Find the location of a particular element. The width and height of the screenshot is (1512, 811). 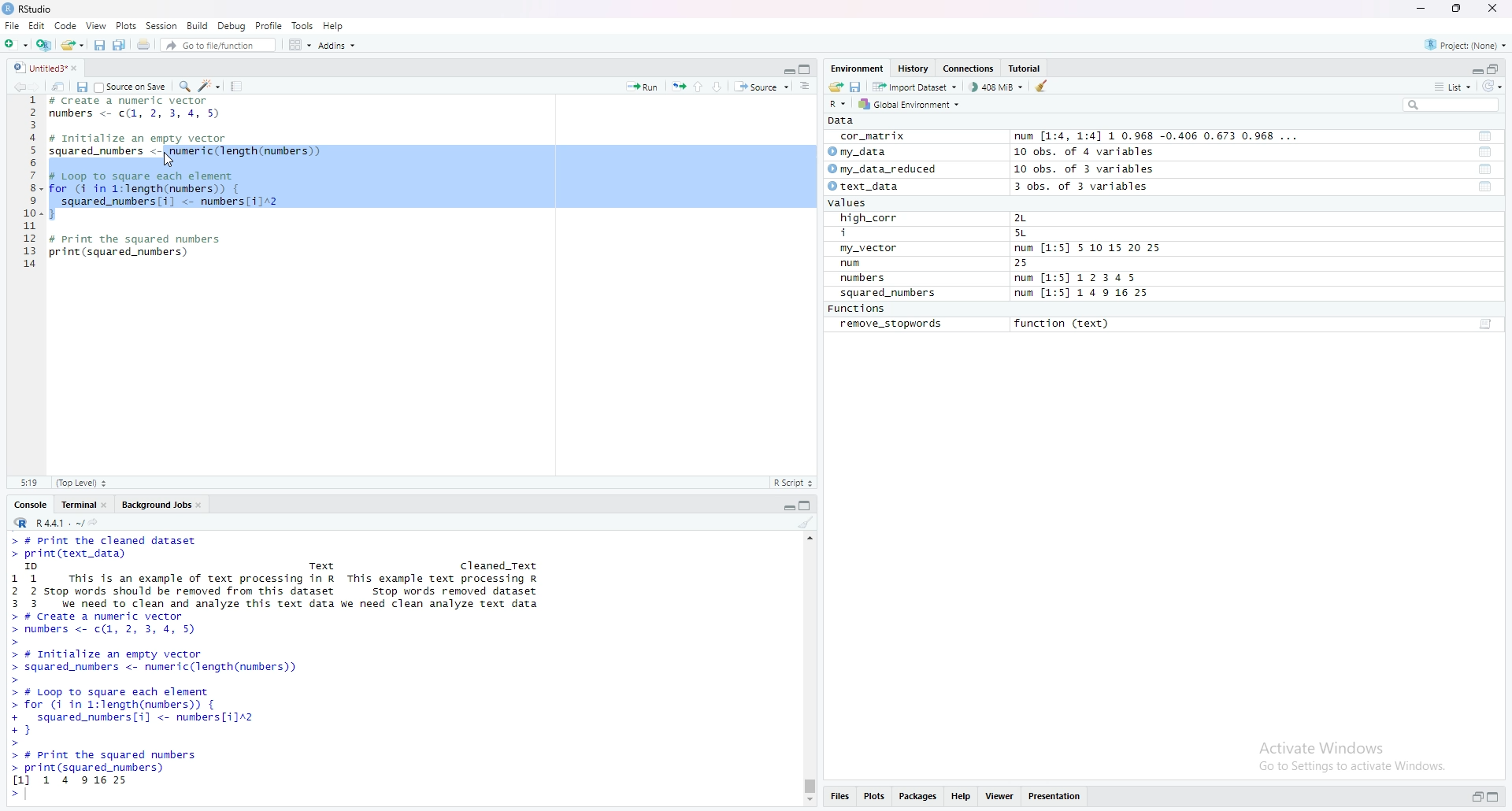

values is located at coordinates (852, 204).